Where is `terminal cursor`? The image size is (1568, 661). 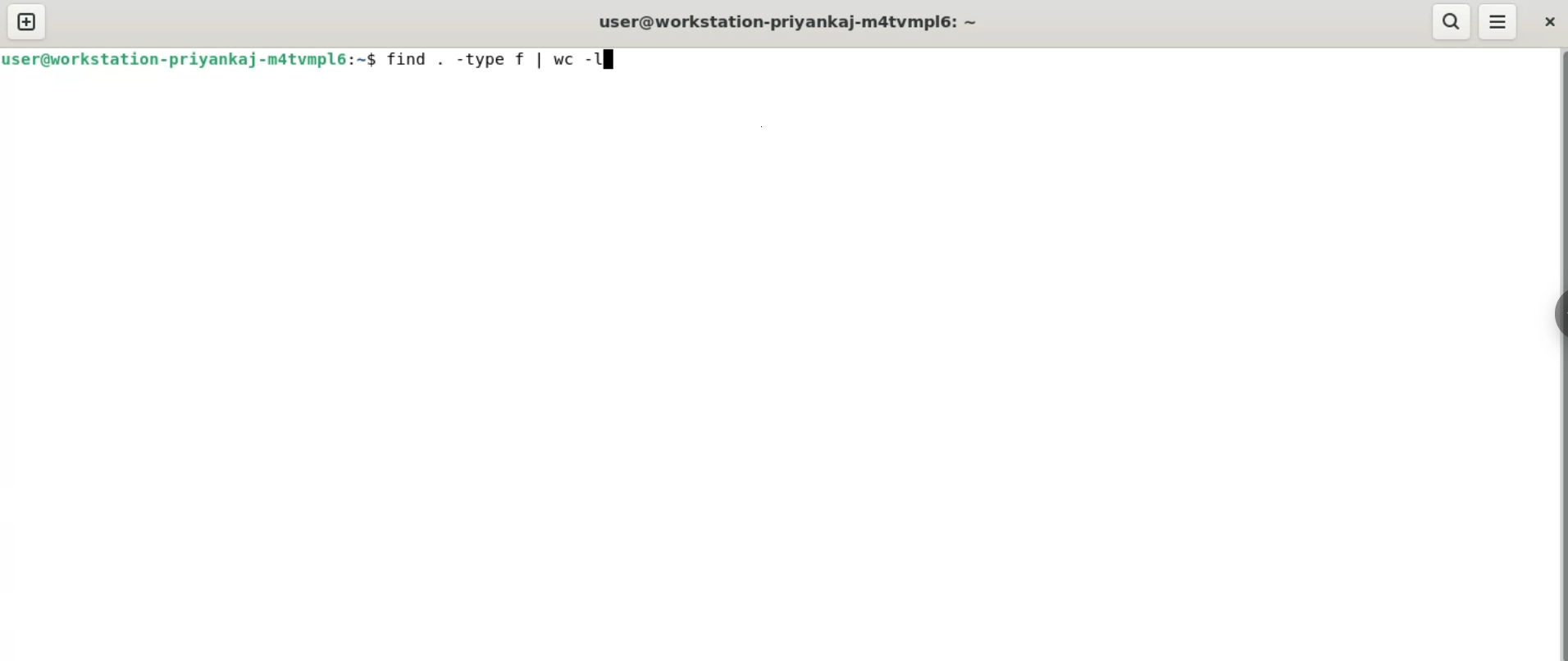 terminal cursor is located at coordinates (613, 59).